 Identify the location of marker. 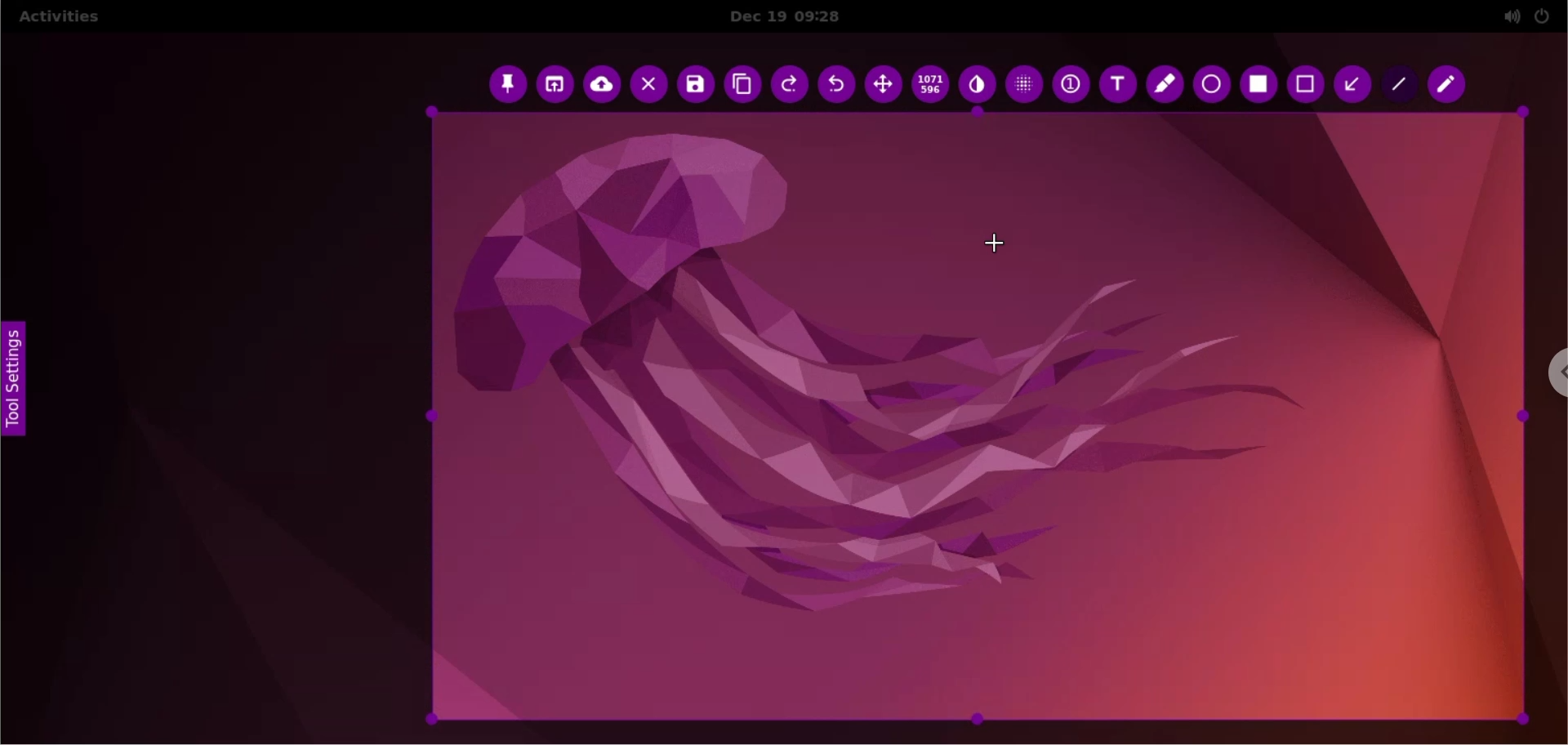
(1164, 85).